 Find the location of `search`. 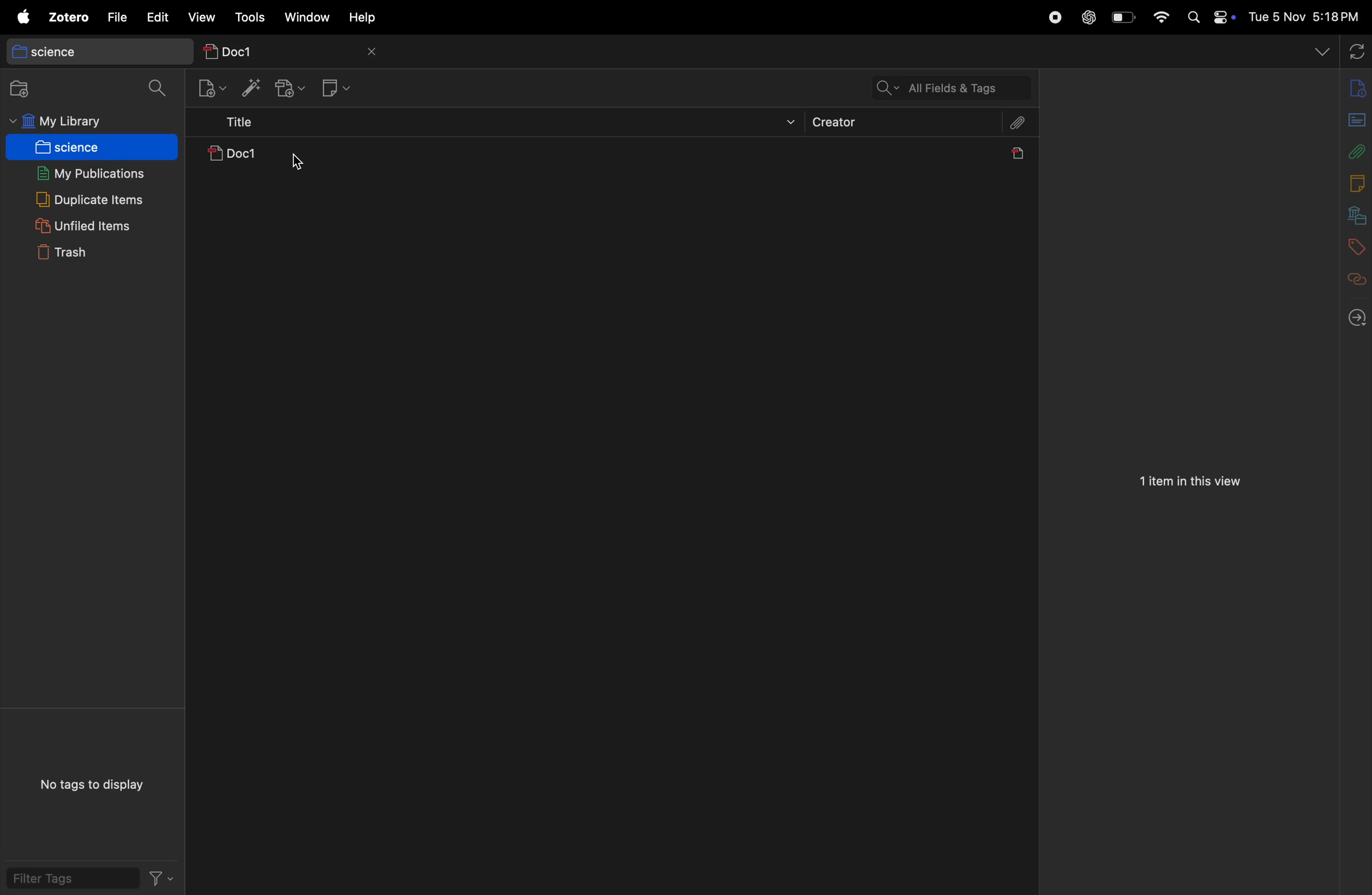

search is located at coordinates (159, 87).